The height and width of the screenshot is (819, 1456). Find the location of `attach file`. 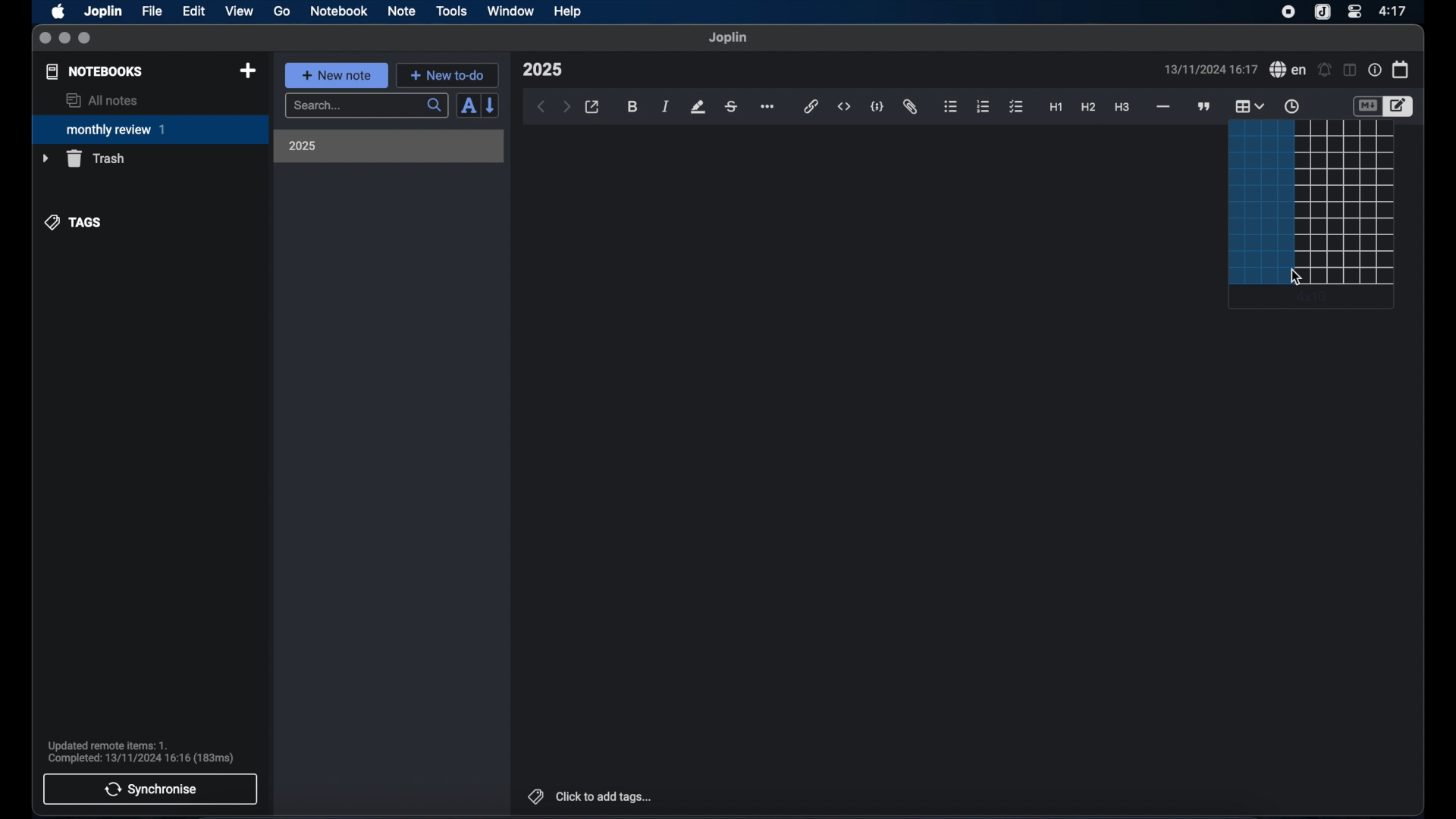

attach file is located at coordinates (910, 107).